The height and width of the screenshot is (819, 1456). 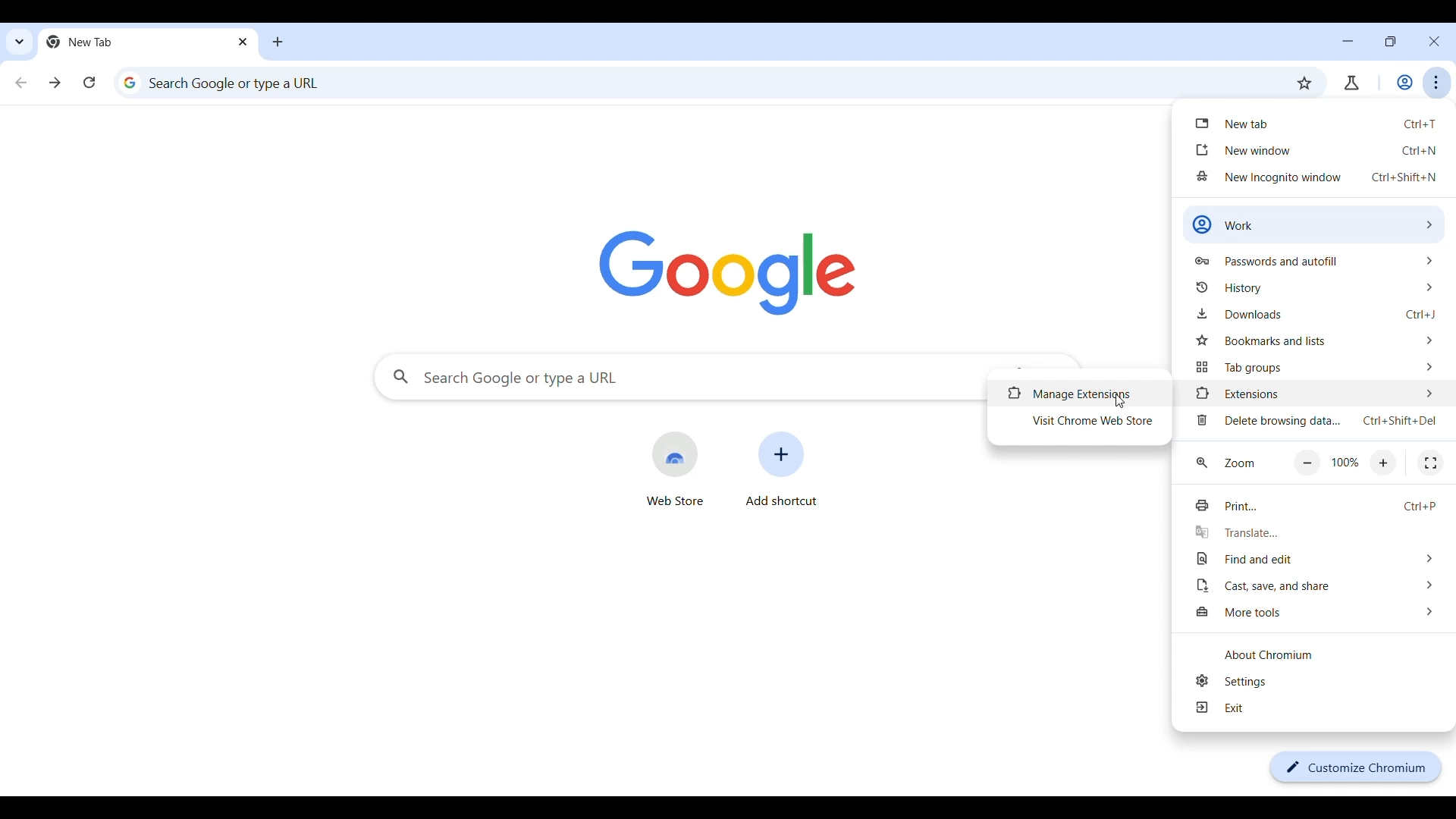 I want to click on Customize and control Chromium highlighted, so click(x=1437, y=83).